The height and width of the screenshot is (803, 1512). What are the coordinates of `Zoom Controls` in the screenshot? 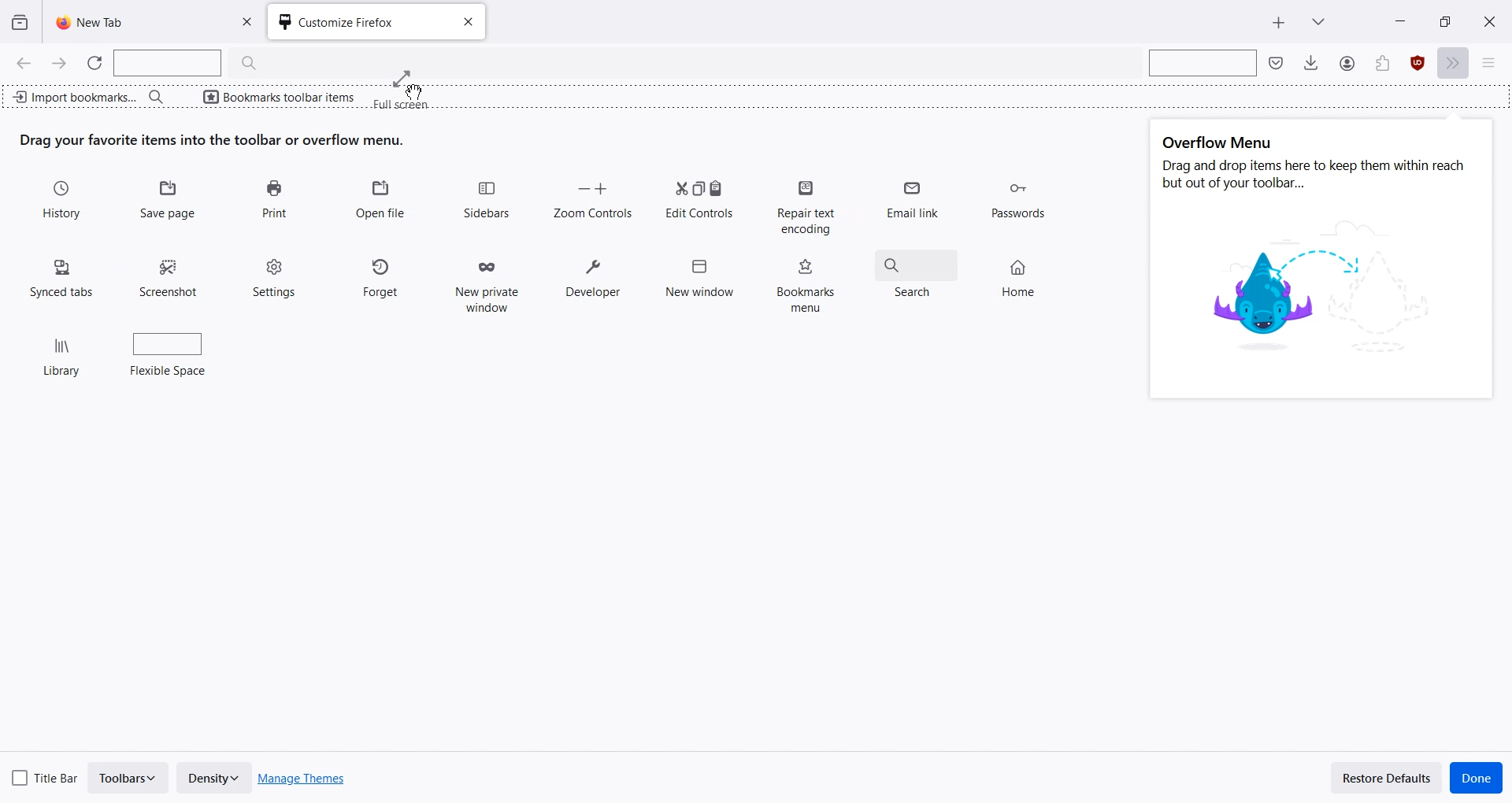 It's located at (592, 198).